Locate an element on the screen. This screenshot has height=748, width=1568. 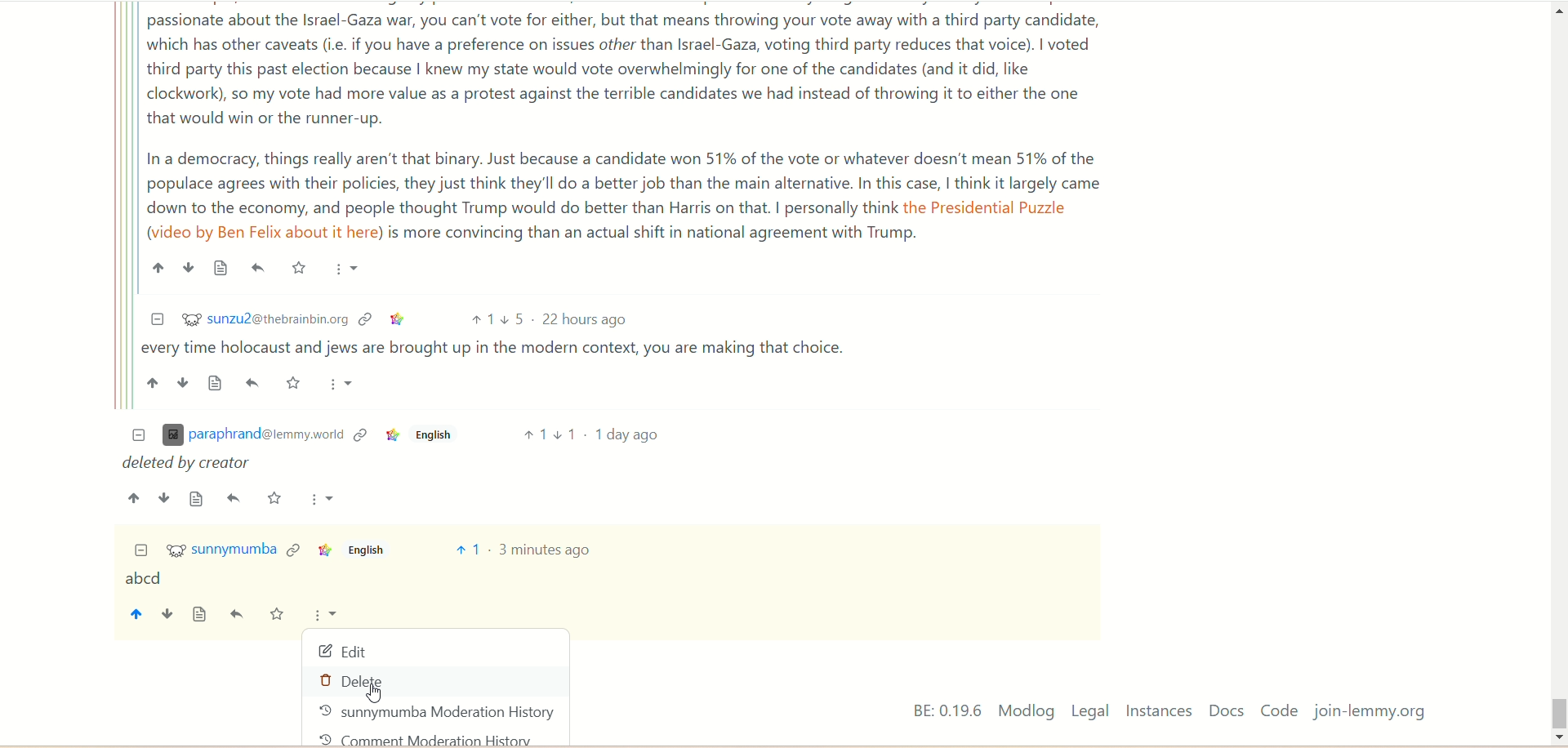
Reply is located at coordinates (259, 268).